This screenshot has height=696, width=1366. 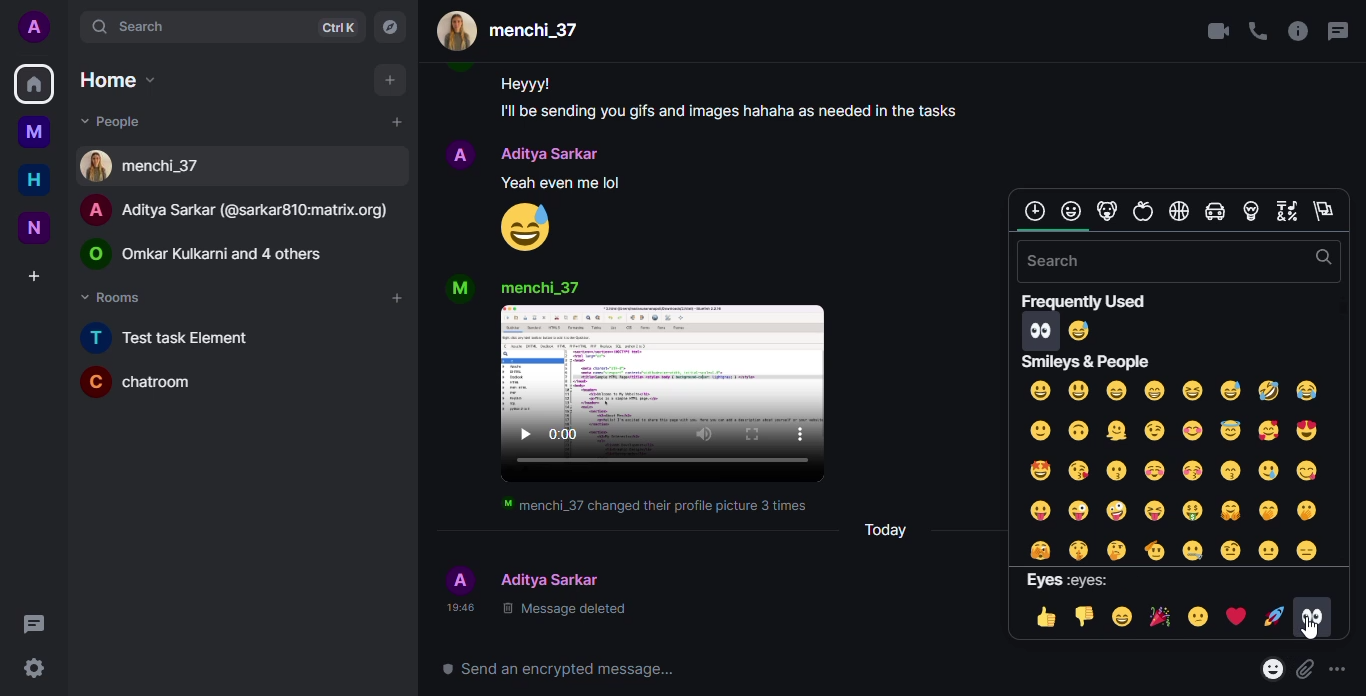 What do you see at coordinates (35, 85) in the screenshot?
I see `home` at bounding box center [35, 85].